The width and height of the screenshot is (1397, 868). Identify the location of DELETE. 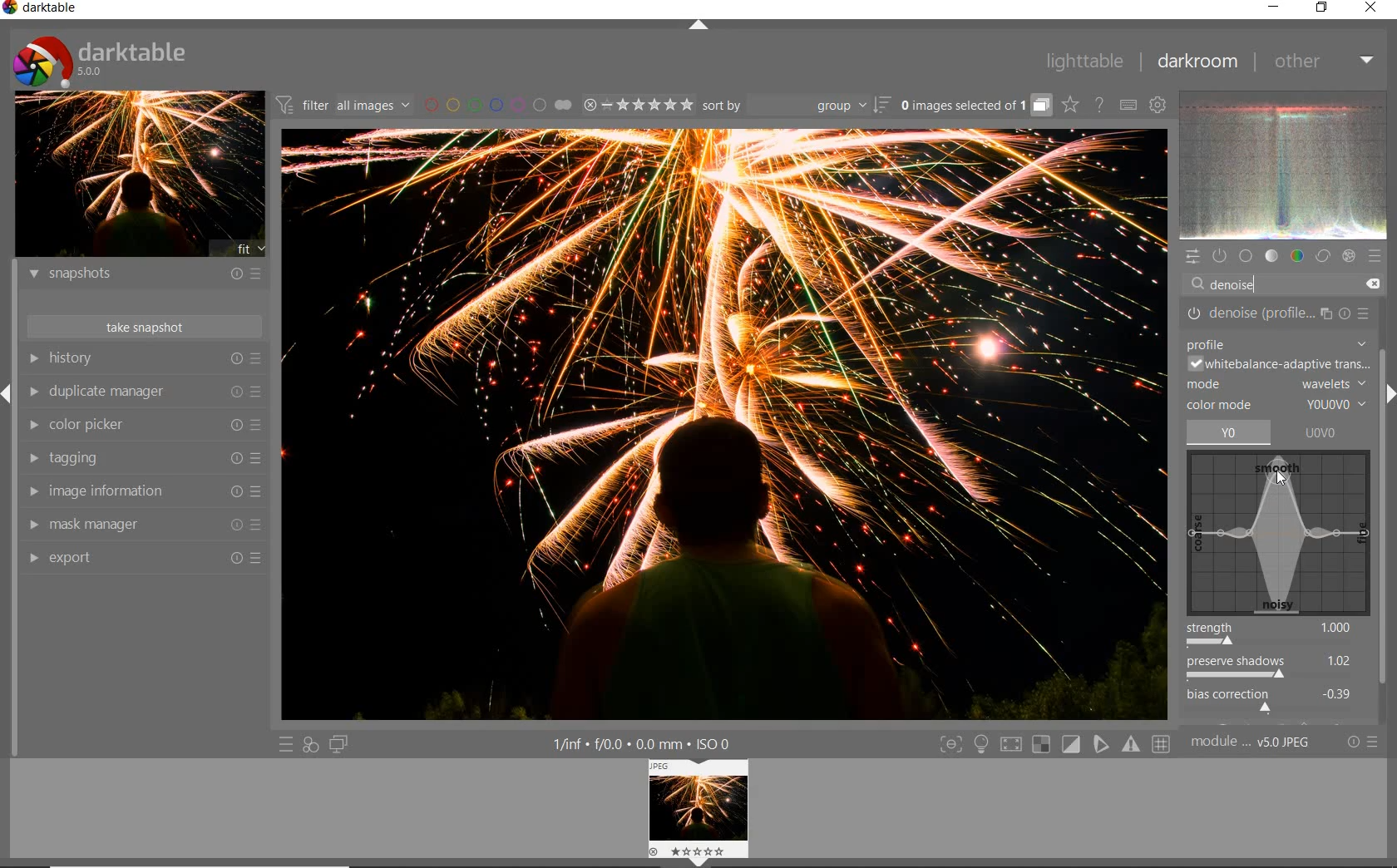
(1375, 284).